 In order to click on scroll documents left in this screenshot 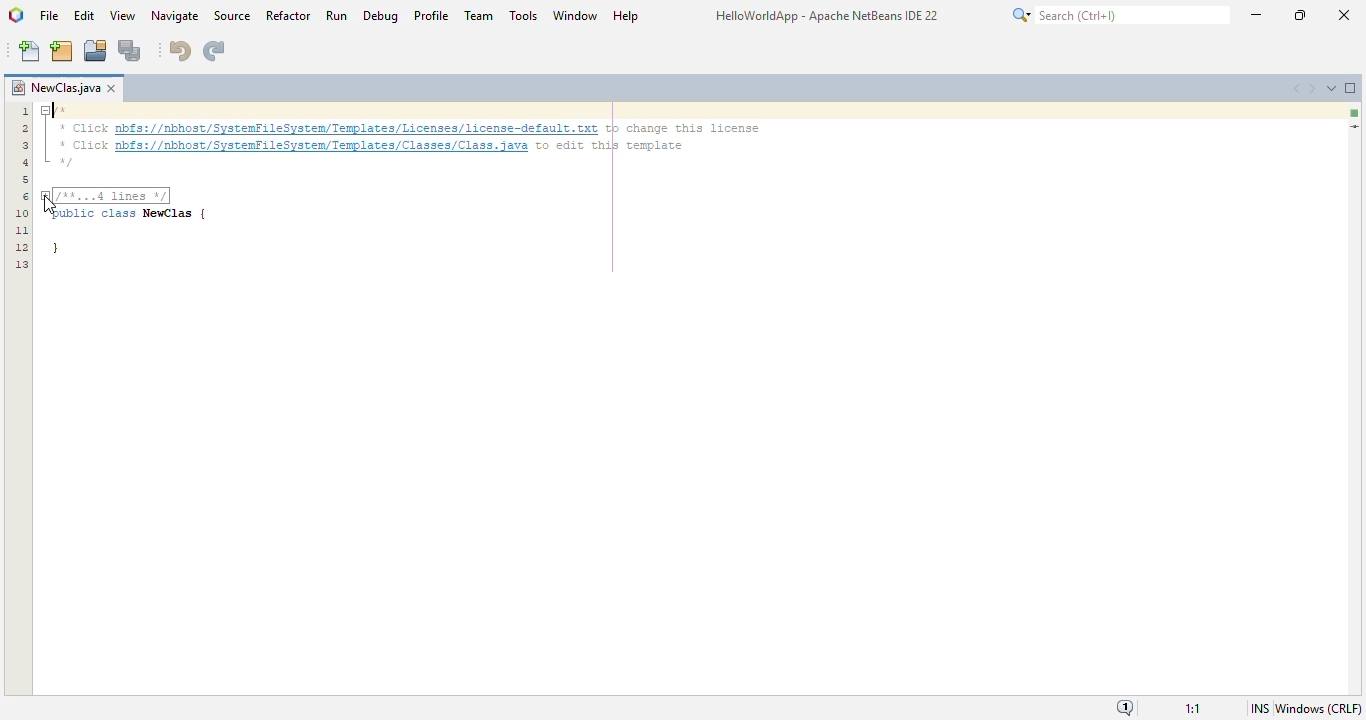, I will do `click(1298, 88)`.